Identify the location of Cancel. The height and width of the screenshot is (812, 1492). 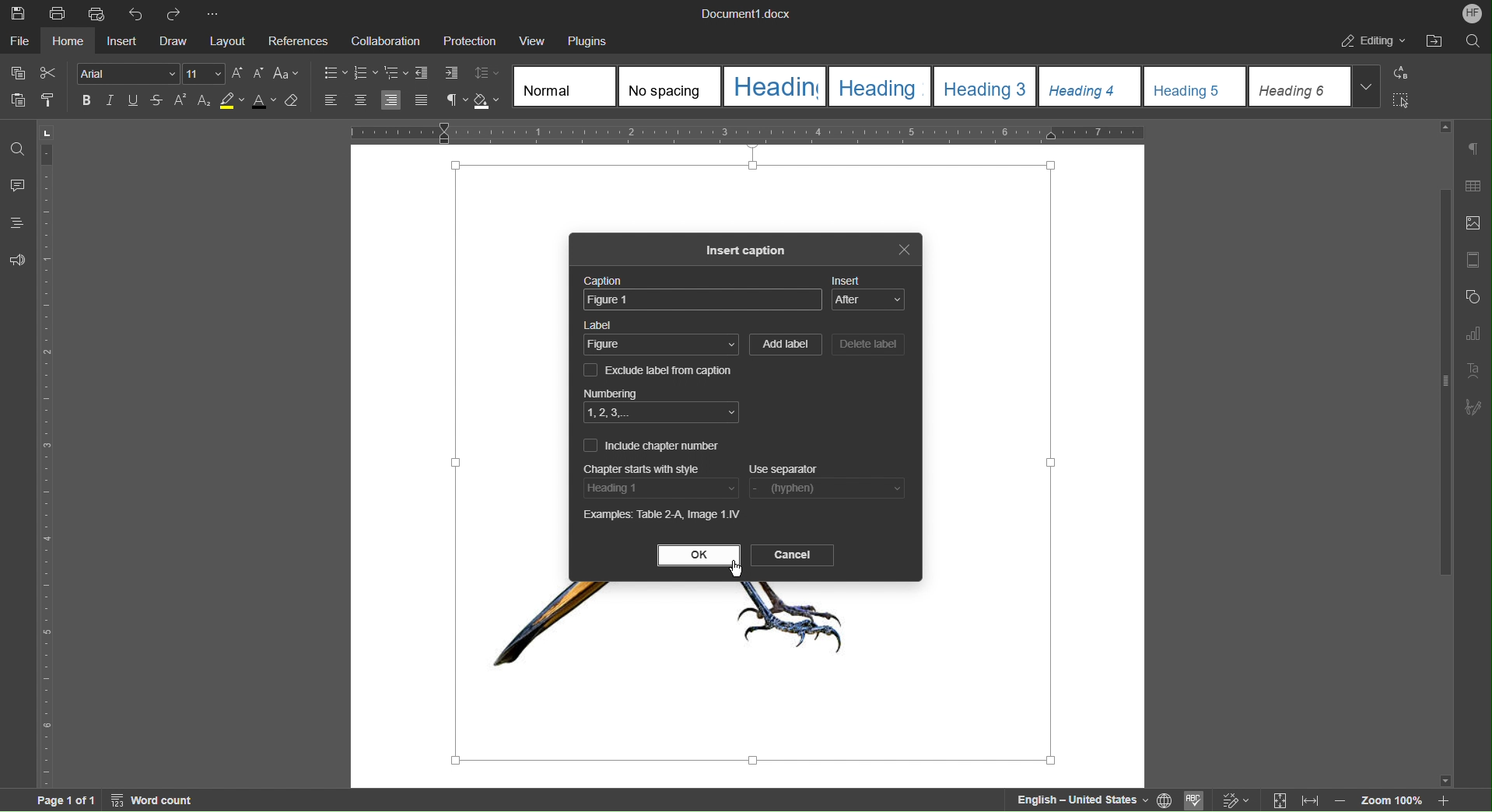
(792, 555).